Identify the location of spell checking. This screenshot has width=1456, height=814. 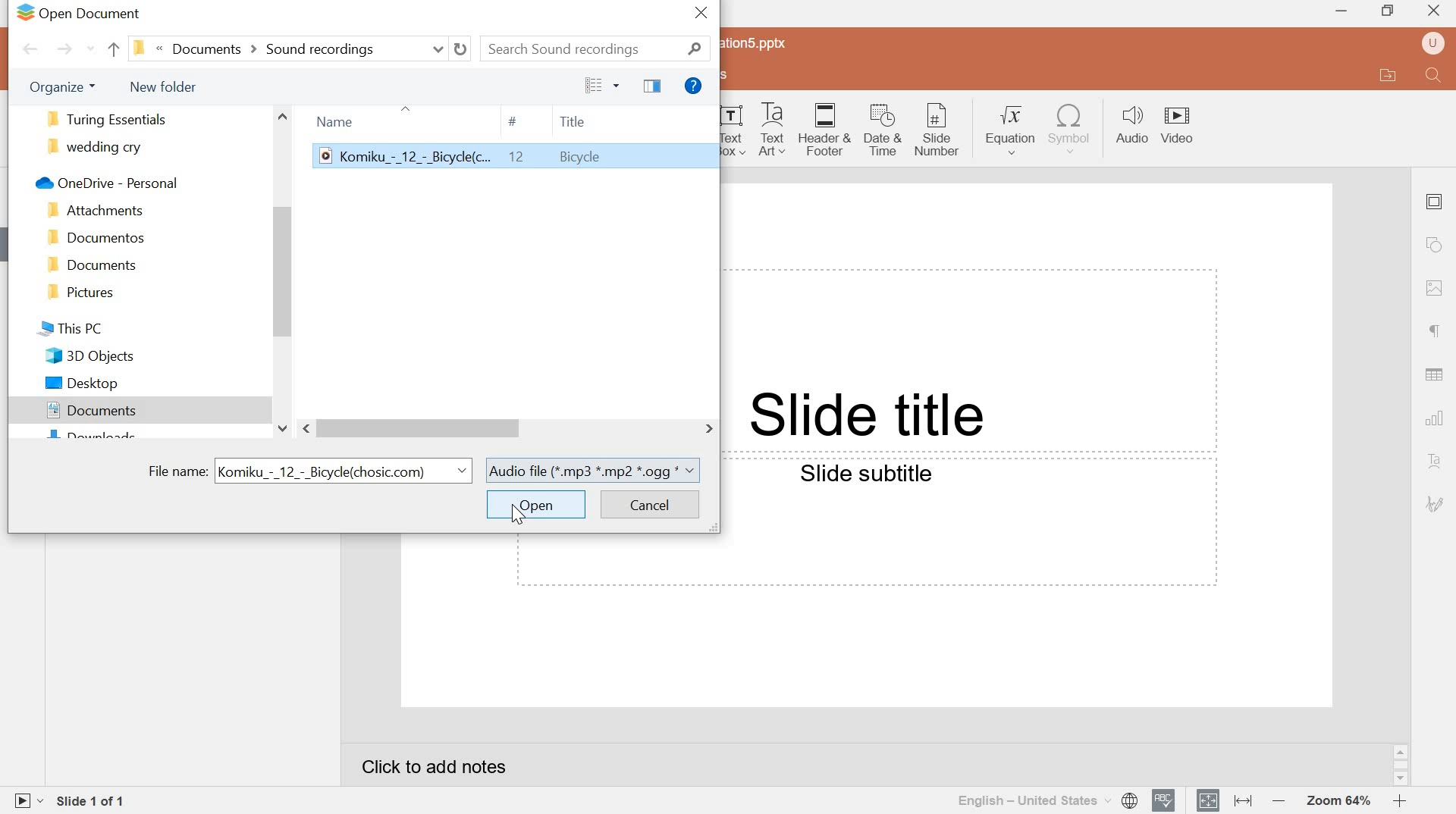
(1164, 800).